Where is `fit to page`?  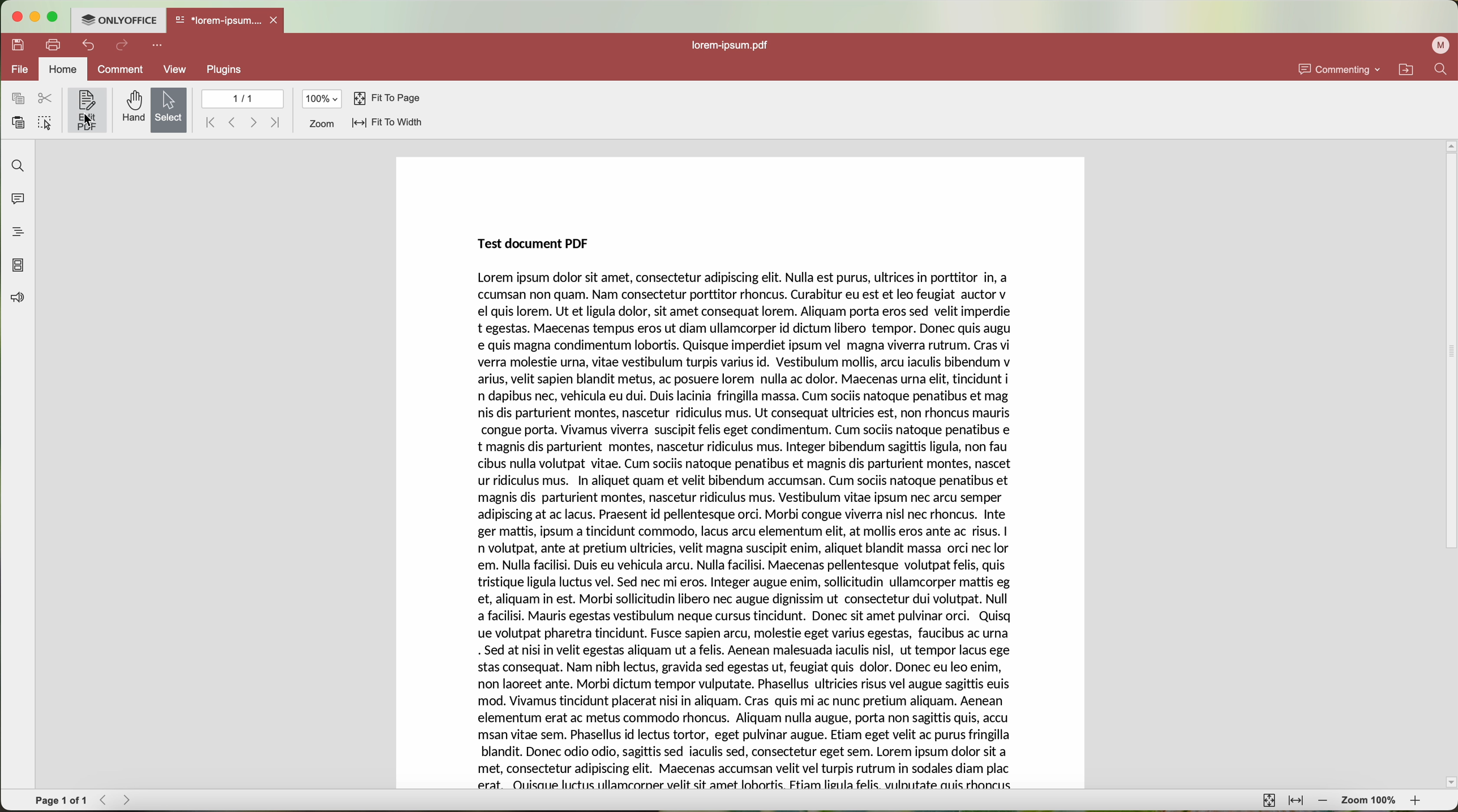
fit to page is located at coordinates (384, 97).